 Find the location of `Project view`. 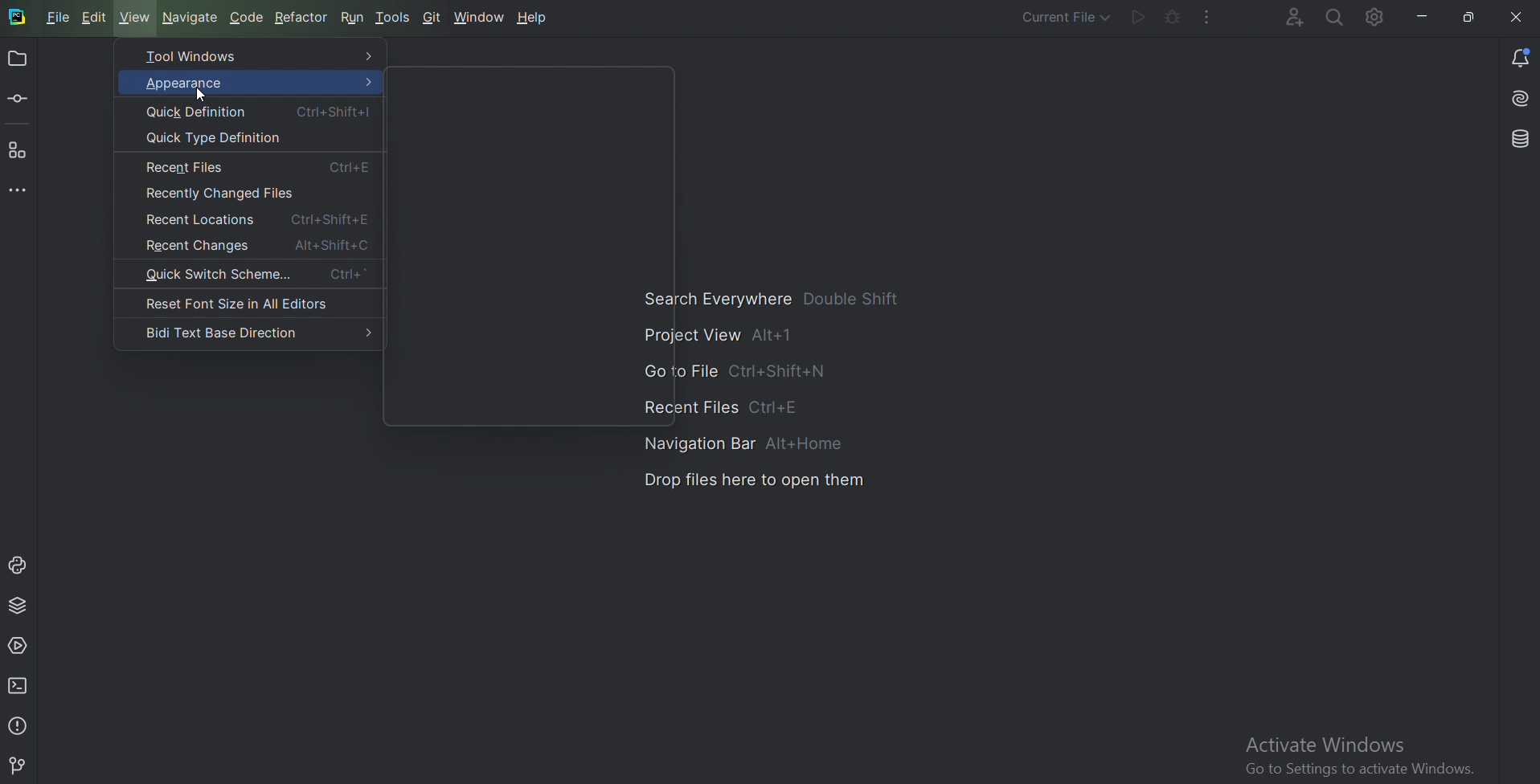

Project view is located at coordinates (719, 337).